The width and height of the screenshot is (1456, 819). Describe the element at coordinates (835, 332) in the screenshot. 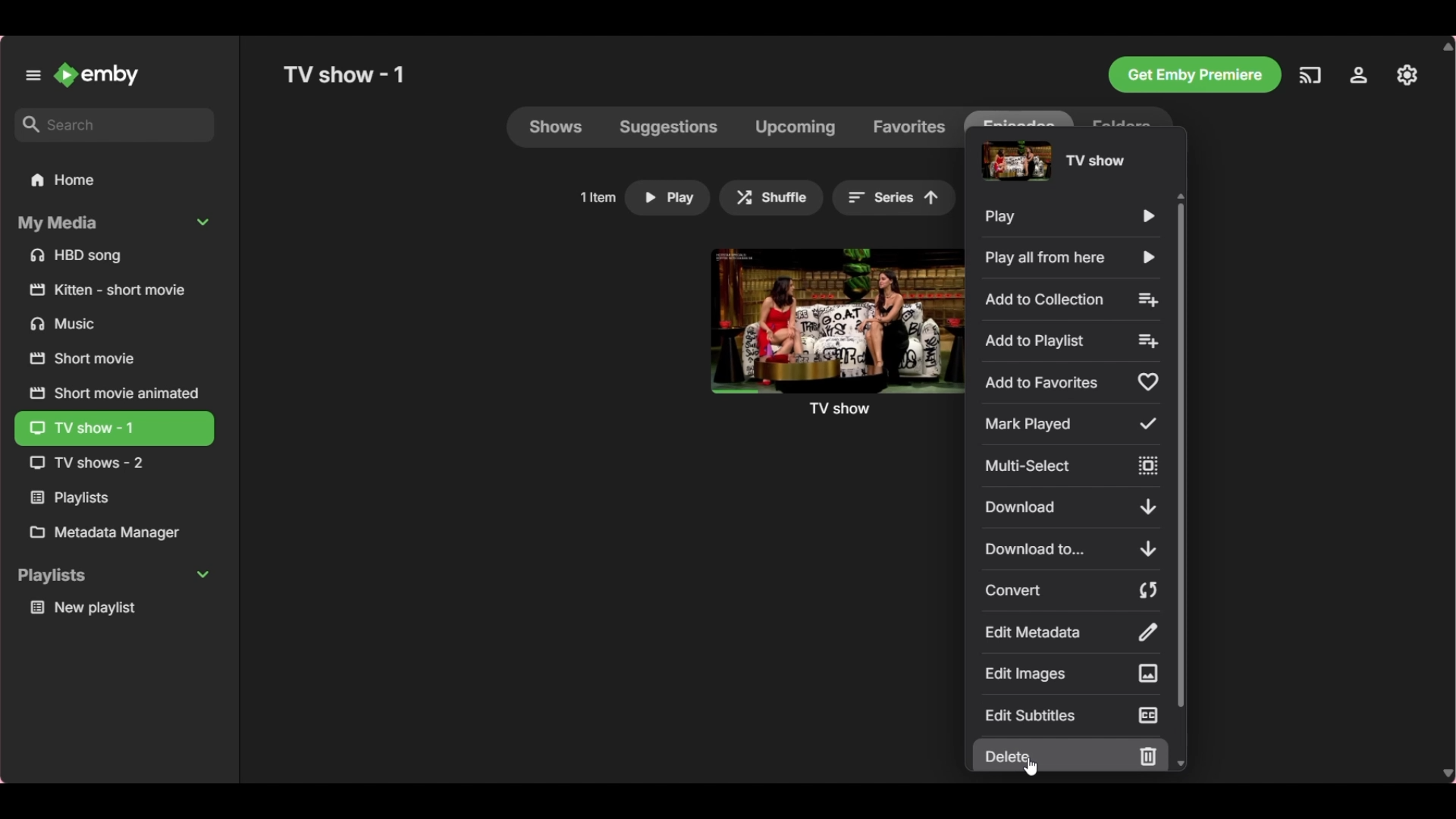

I see `TV show` at that location.